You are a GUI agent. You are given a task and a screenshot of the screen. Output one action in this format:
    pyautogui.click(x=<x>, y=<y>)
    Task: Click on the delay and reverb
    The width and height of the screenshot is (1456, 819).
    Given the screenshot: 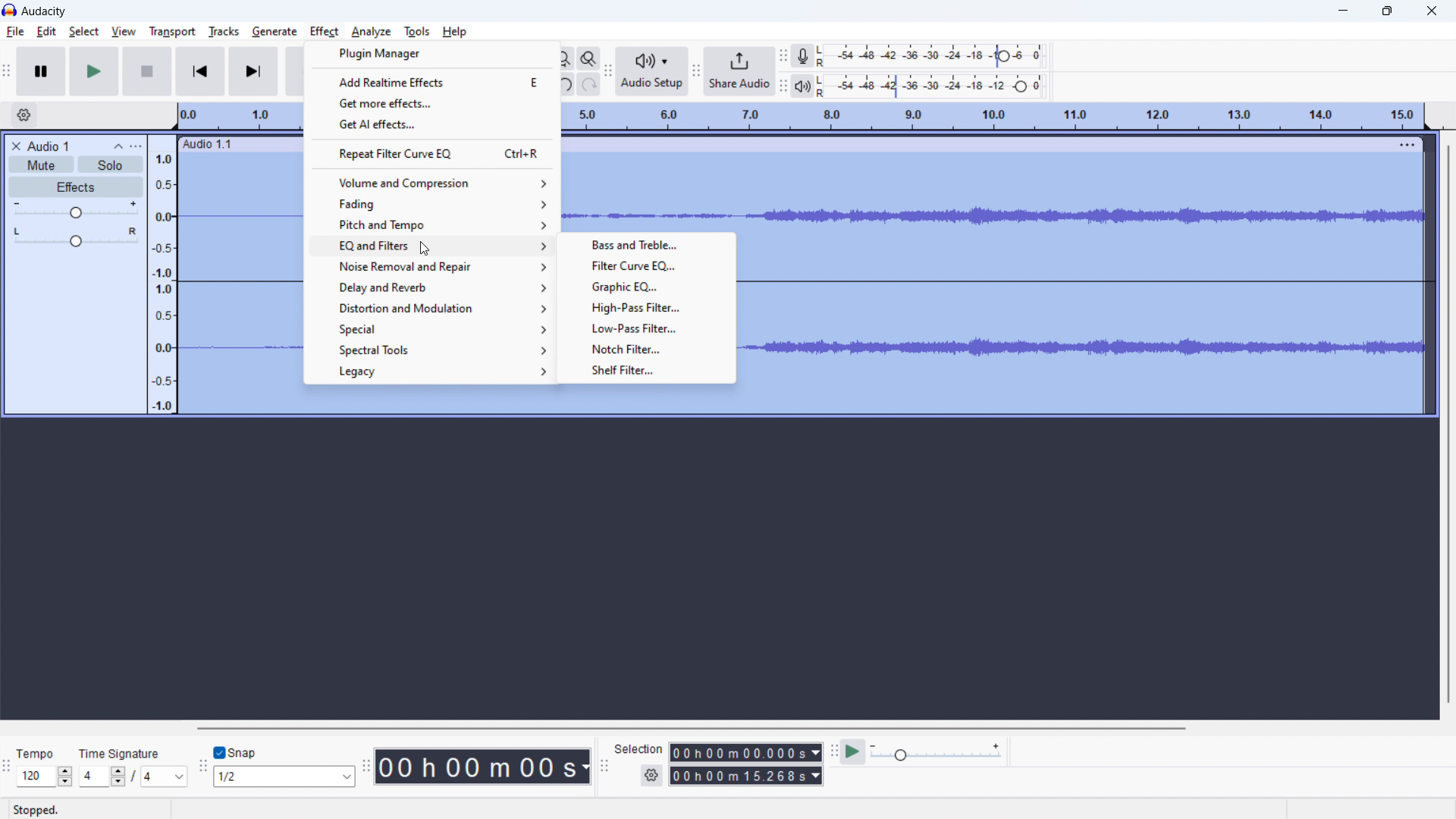 What is the action you would take?
    pyautogui.click(x=430, y=287)
    